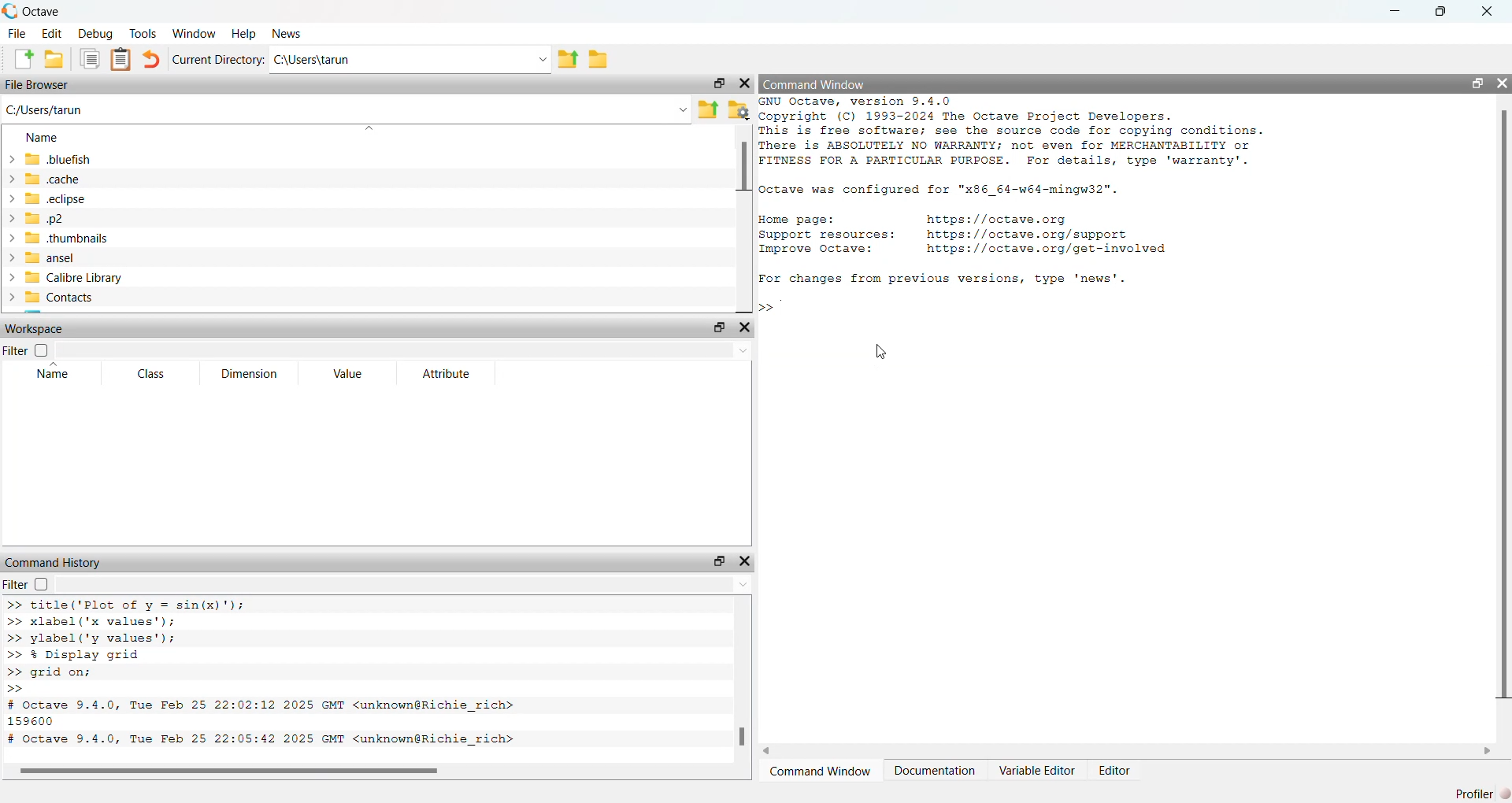  What do you see at coordinates (774, 307) in the screenshot?
I see `>> |` at bounding box center [774, 307].